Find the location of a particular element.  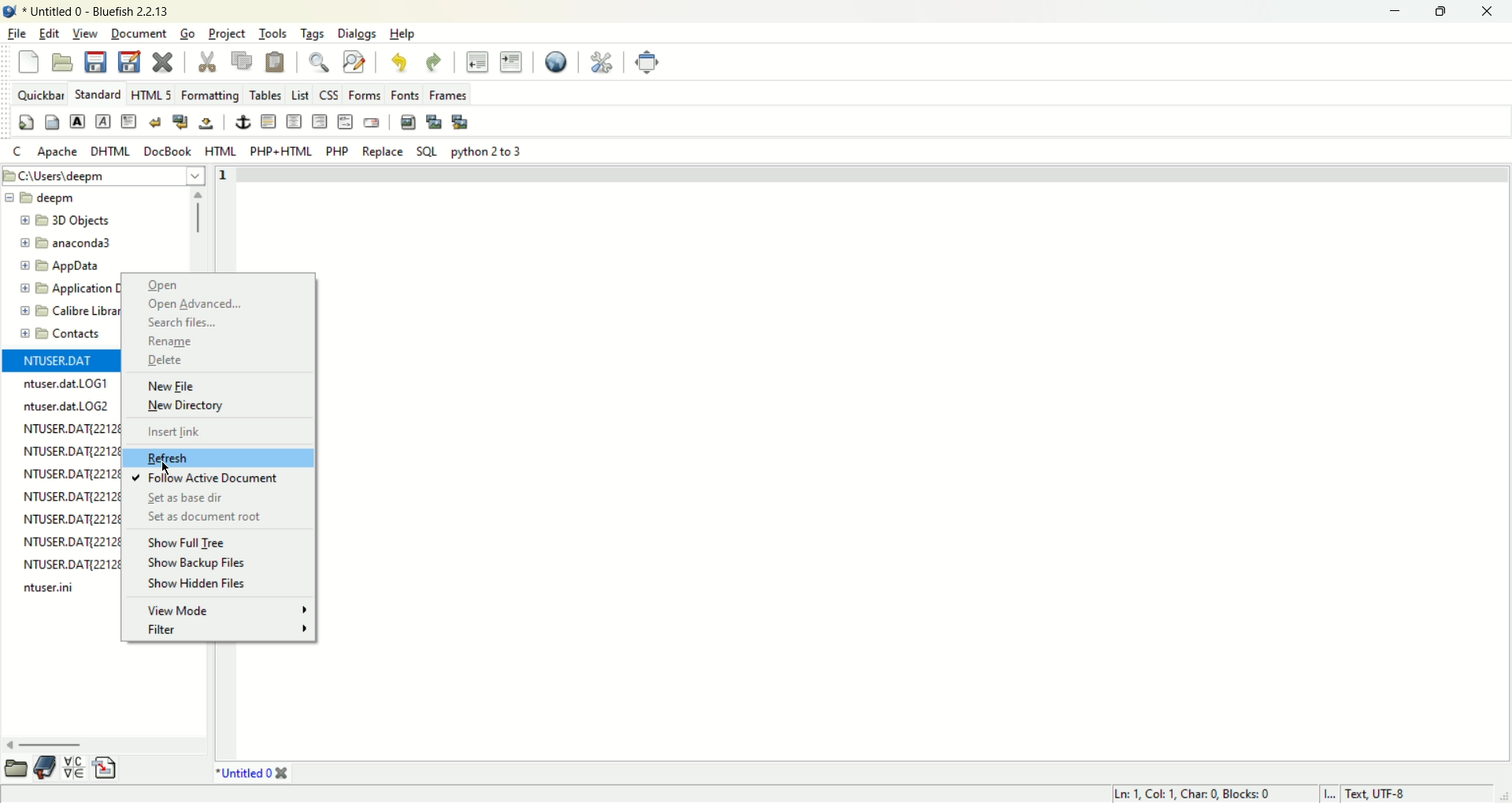

standard is located at coordinates (98, 94).